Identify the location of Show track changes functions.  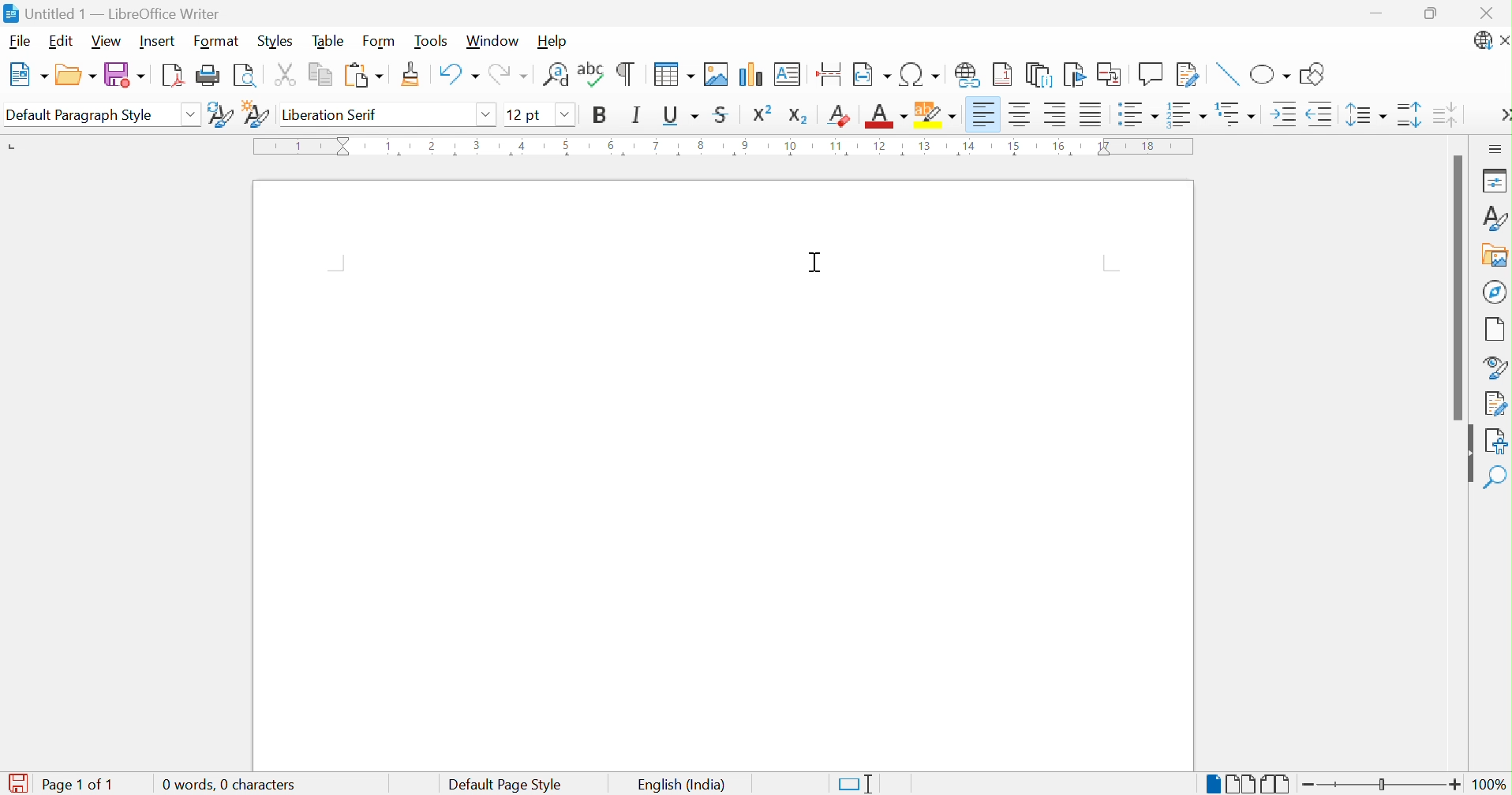
(1186, 74).